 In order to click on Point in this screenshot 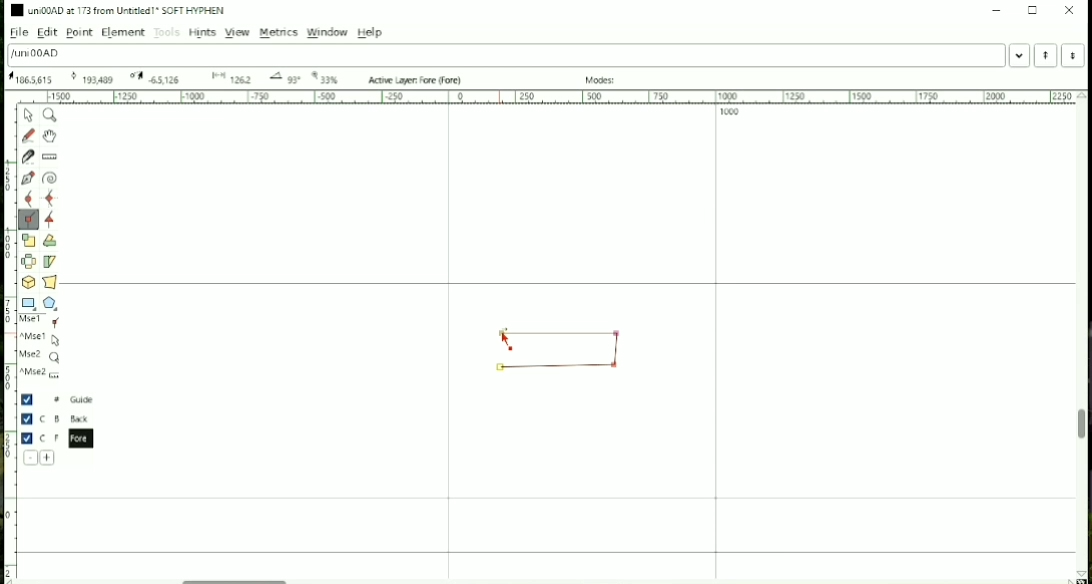, I will do `click(79, 33)`.